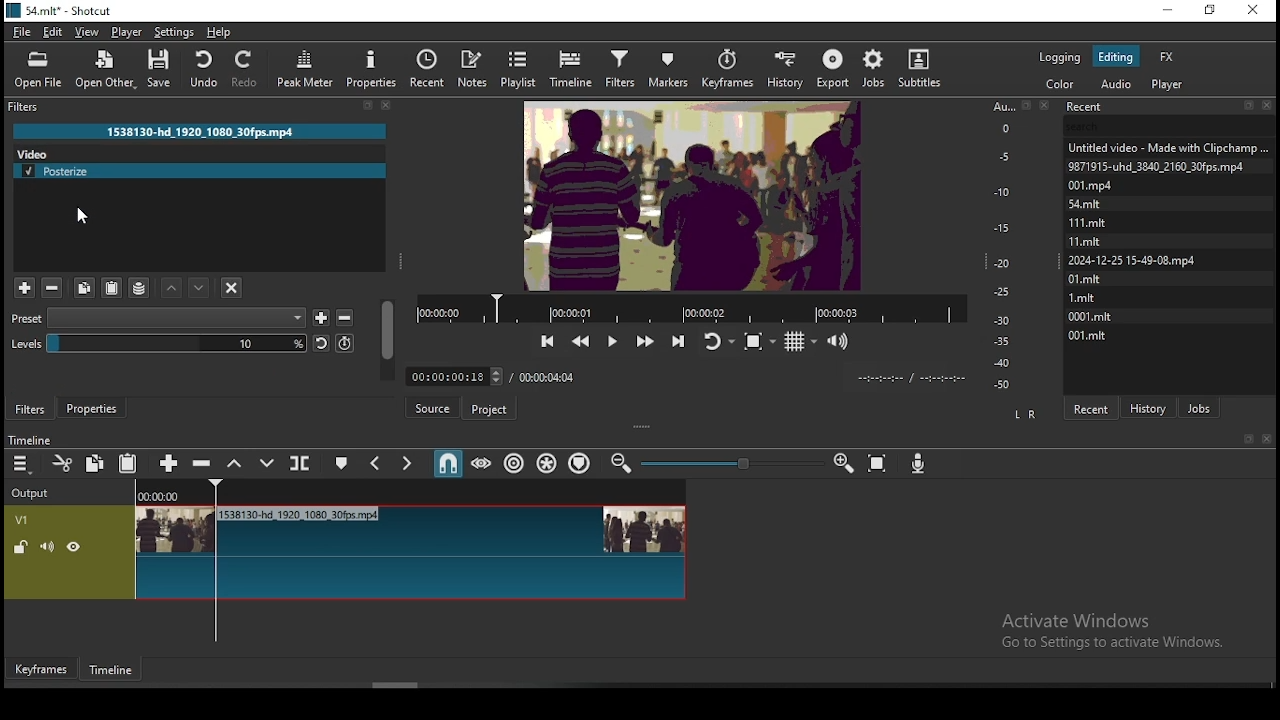  Describe the element at coordinates (621, 464) in the screenshot. I see `zoom timeline in` at that location.